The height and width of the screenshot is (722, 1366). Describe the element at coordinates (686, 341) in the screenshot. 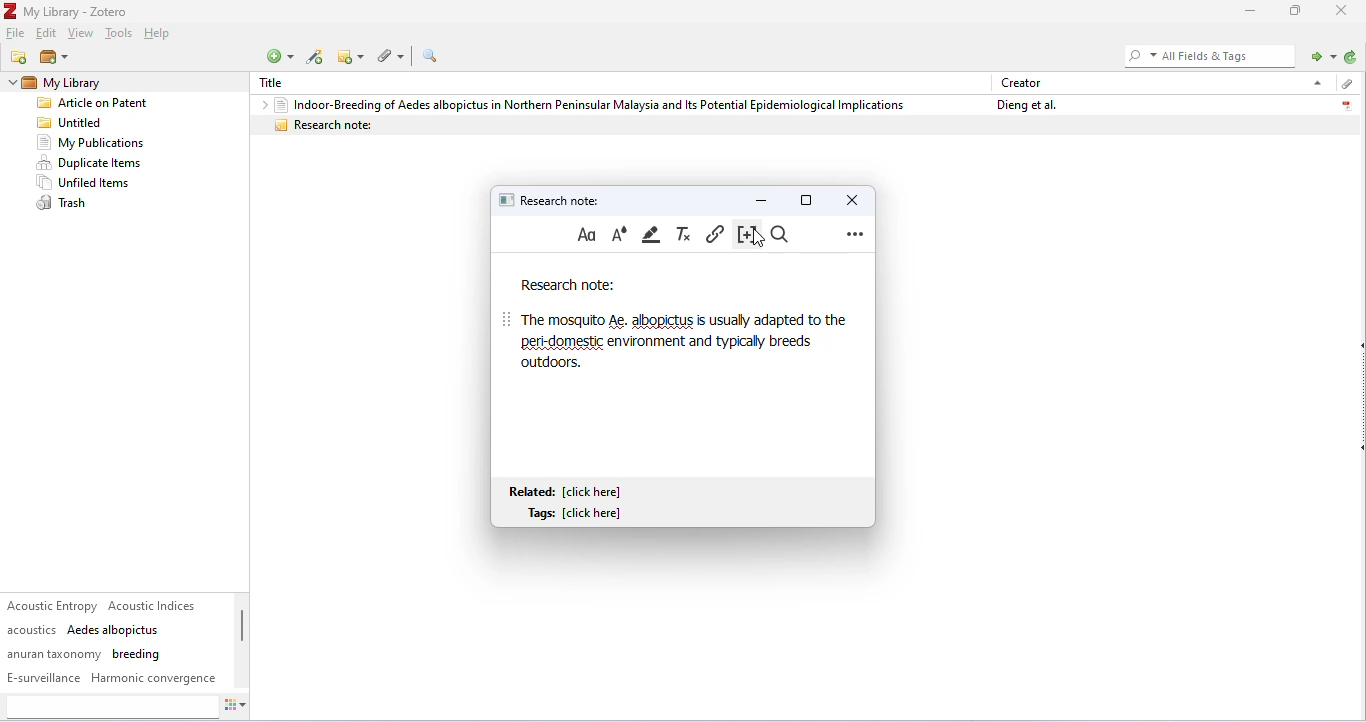

I see `text ` at that location.